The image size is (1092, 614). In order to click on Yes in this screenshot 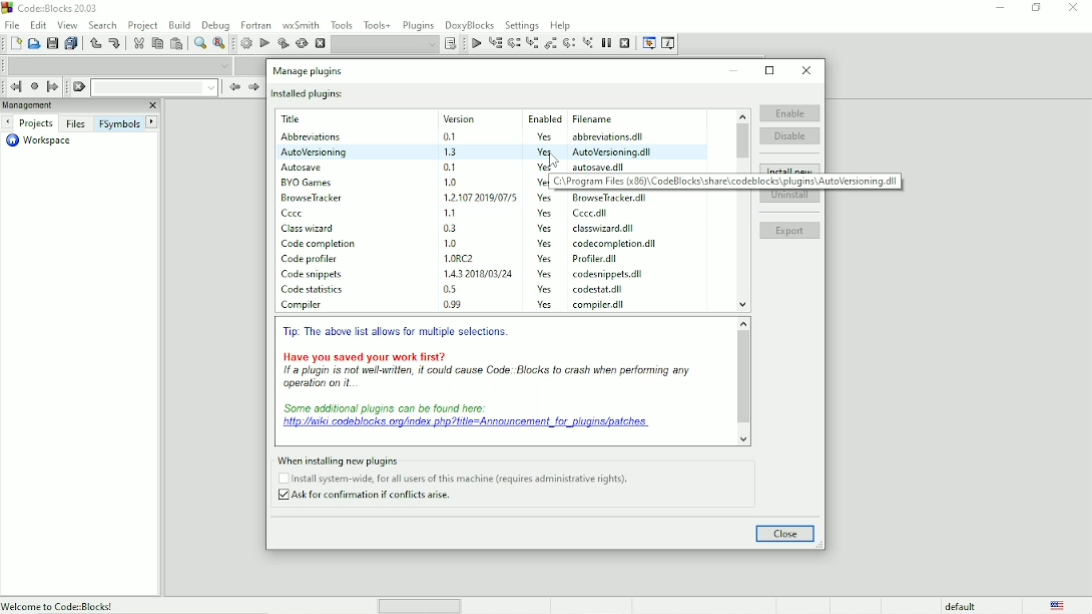, I will do `click(546, 152)`.